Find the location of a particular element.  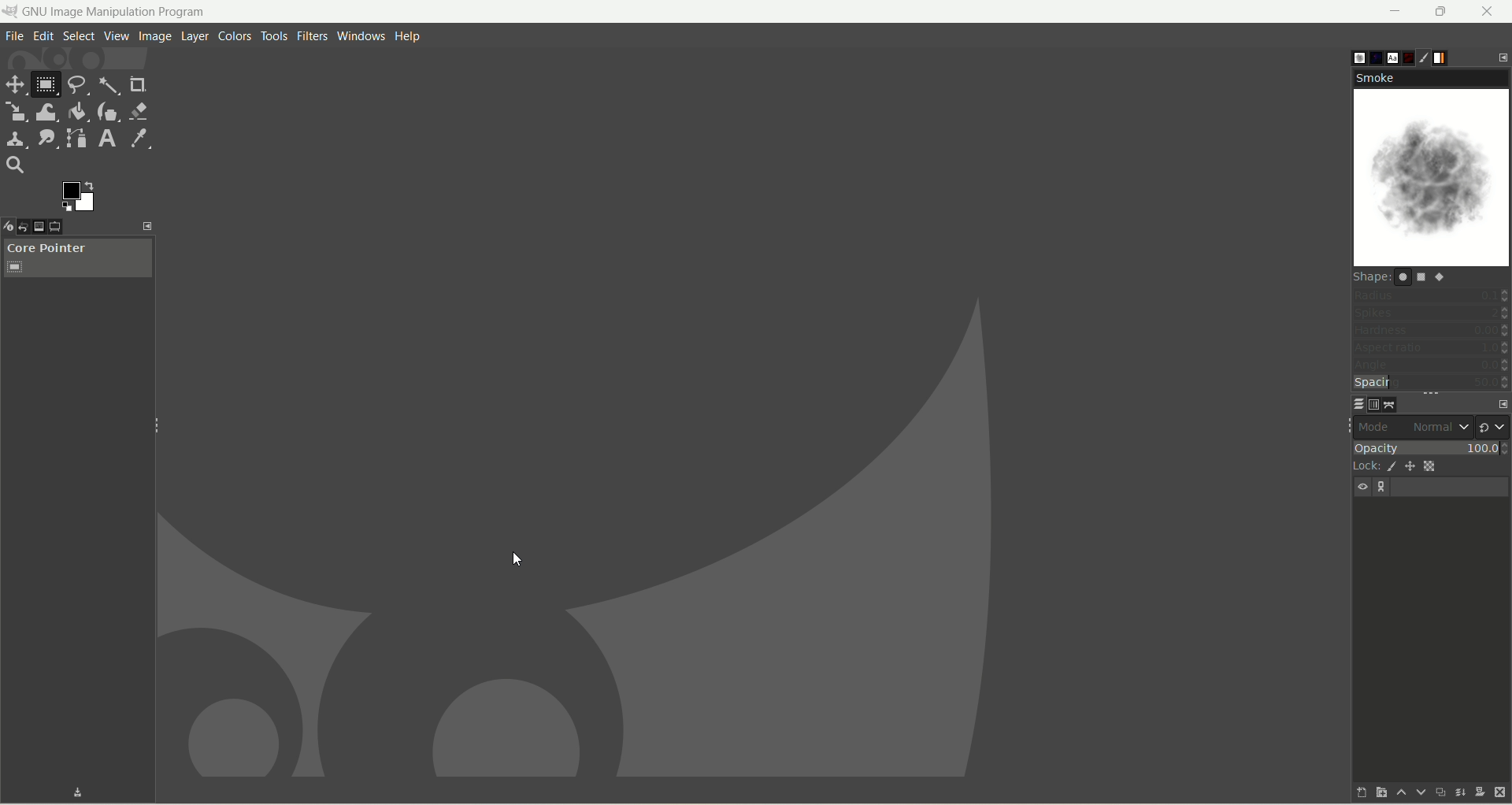

lock is located at coordinates (1362, 465).